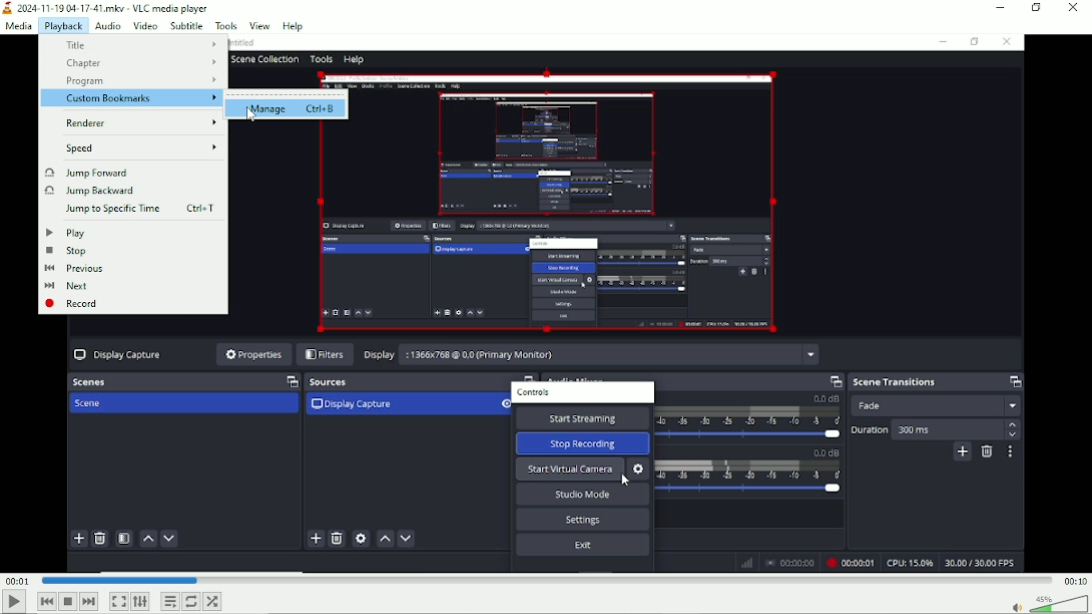 The image size is (1092, 614). I want to click on Video, so click(145, 25).